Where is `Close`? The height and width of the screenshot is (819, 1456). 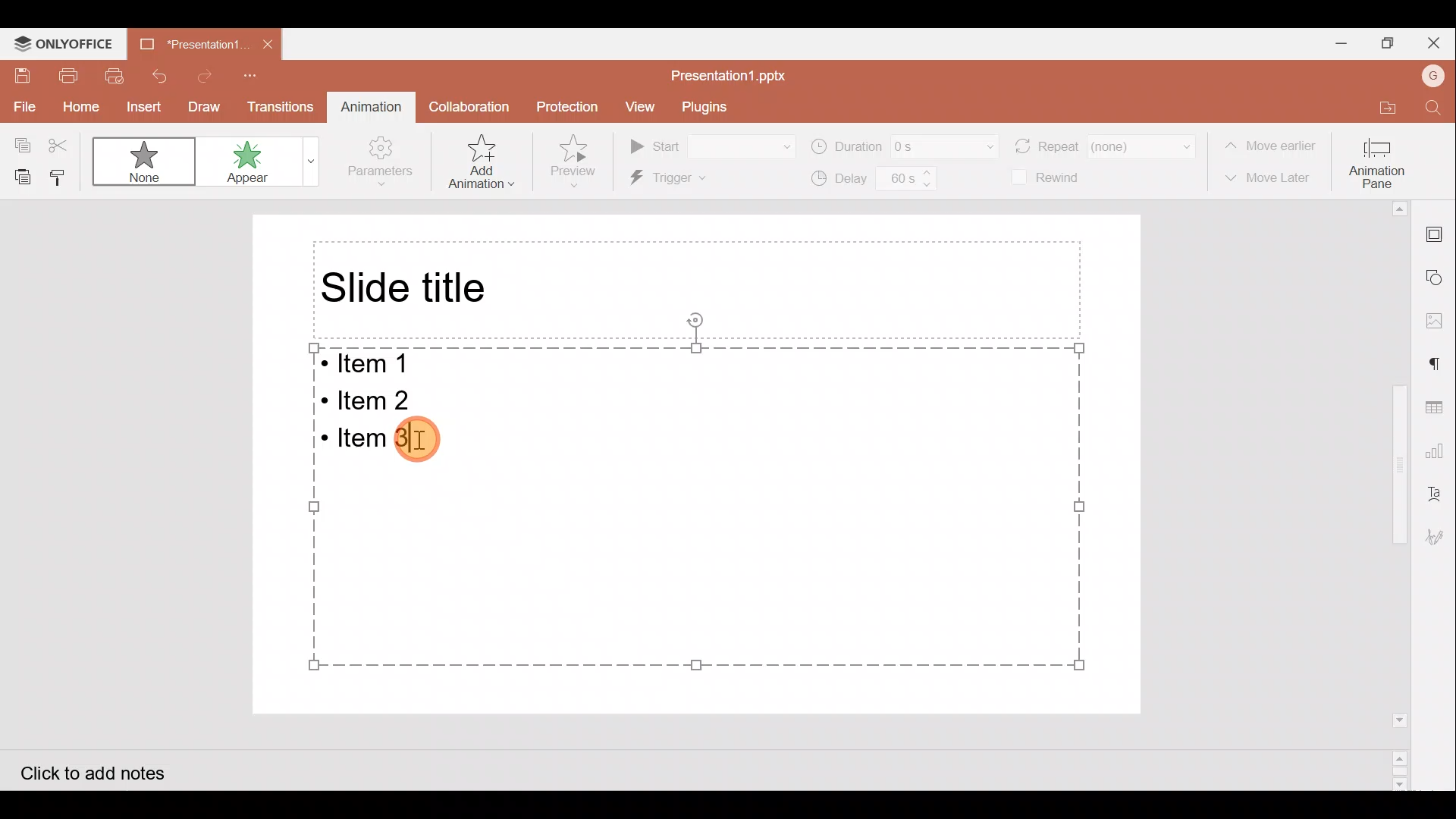 Close is located at coordinates (1439, 42).